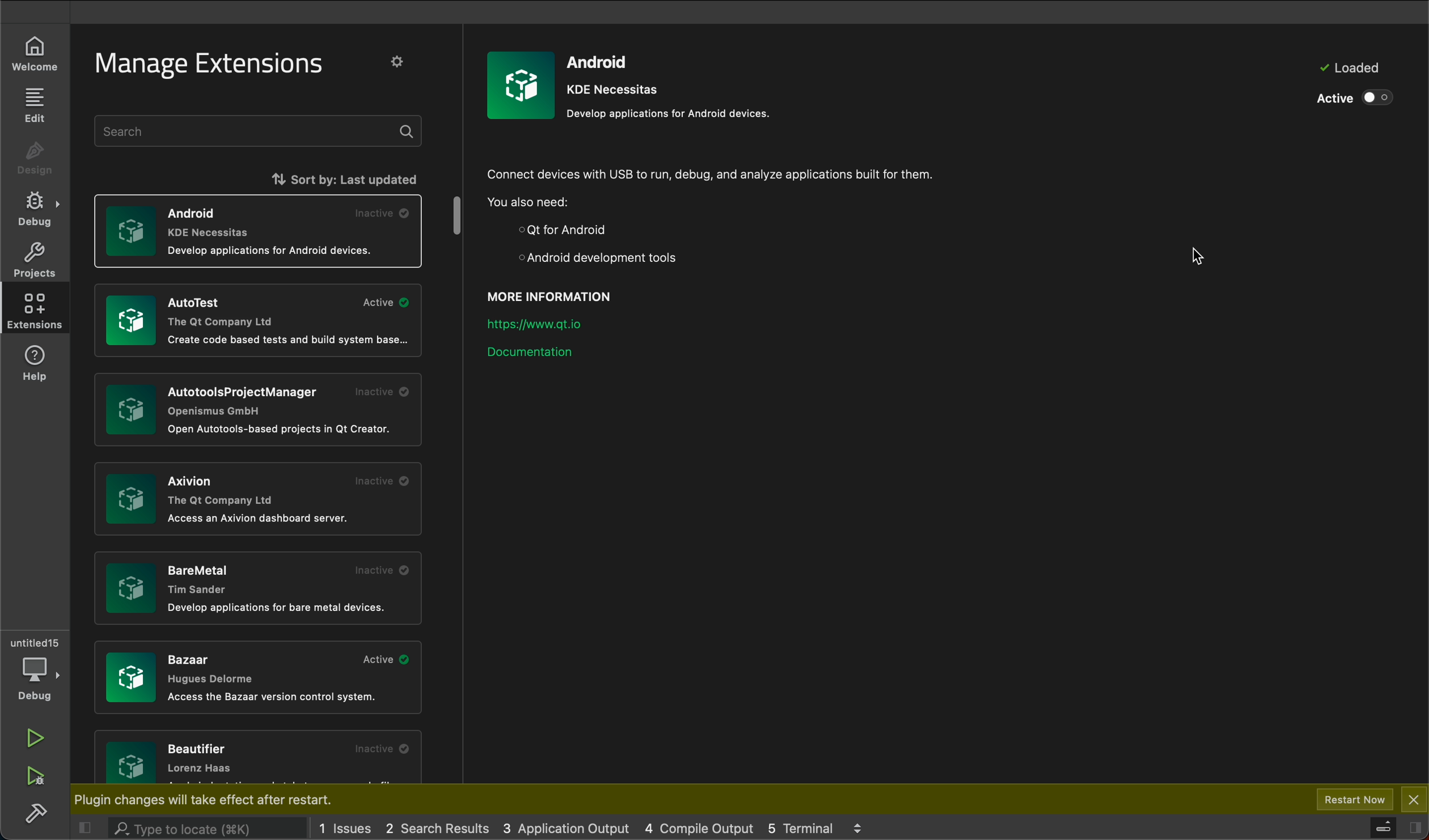 The width and height of the screenshot is (1429, 840). Describe the element at coordinates (567, 830) in the screenshot. I see `logs` at that location.